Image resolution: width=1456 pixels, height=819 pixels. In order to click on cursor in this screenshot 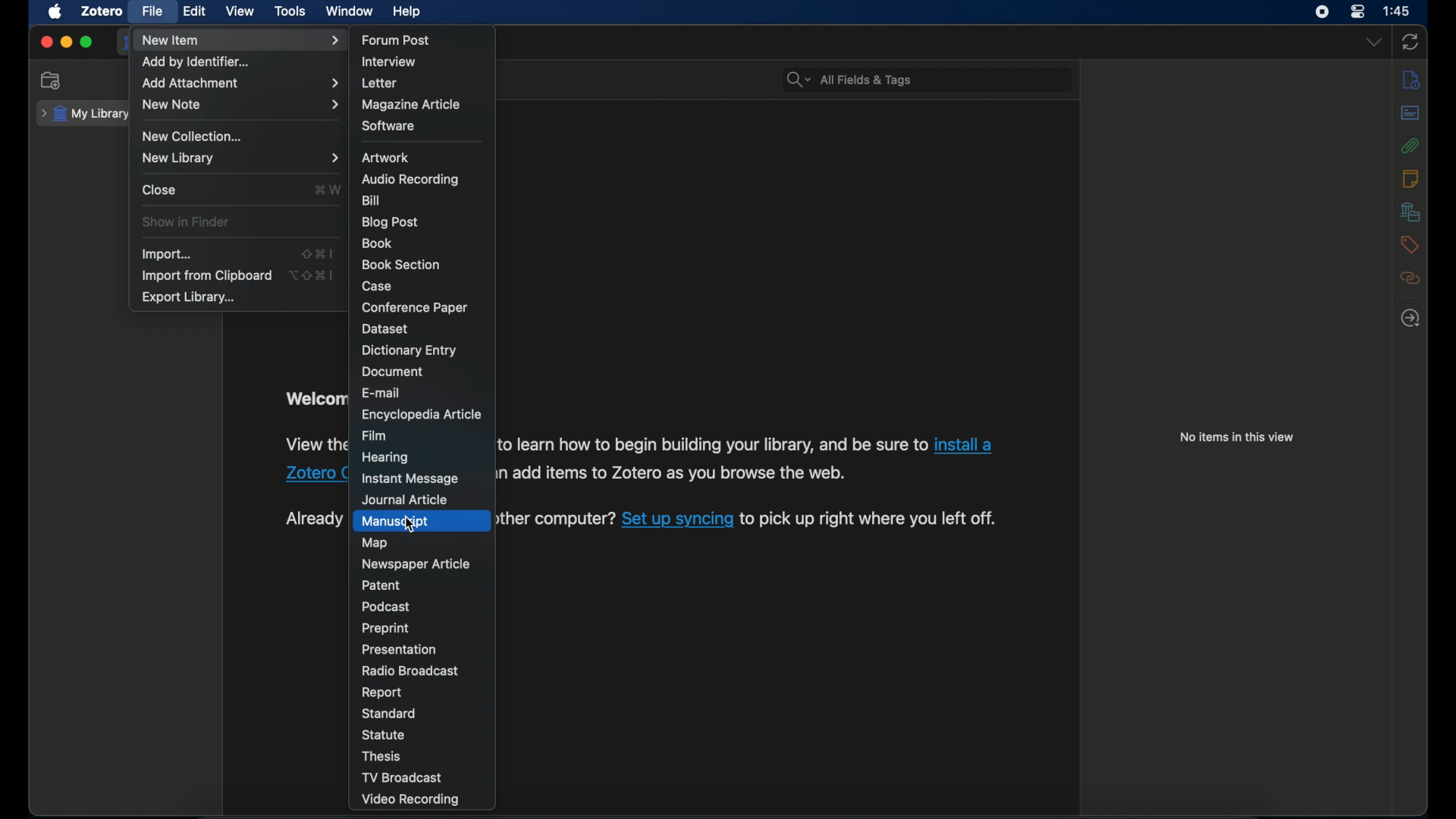, I will do `click(411, 525)`.